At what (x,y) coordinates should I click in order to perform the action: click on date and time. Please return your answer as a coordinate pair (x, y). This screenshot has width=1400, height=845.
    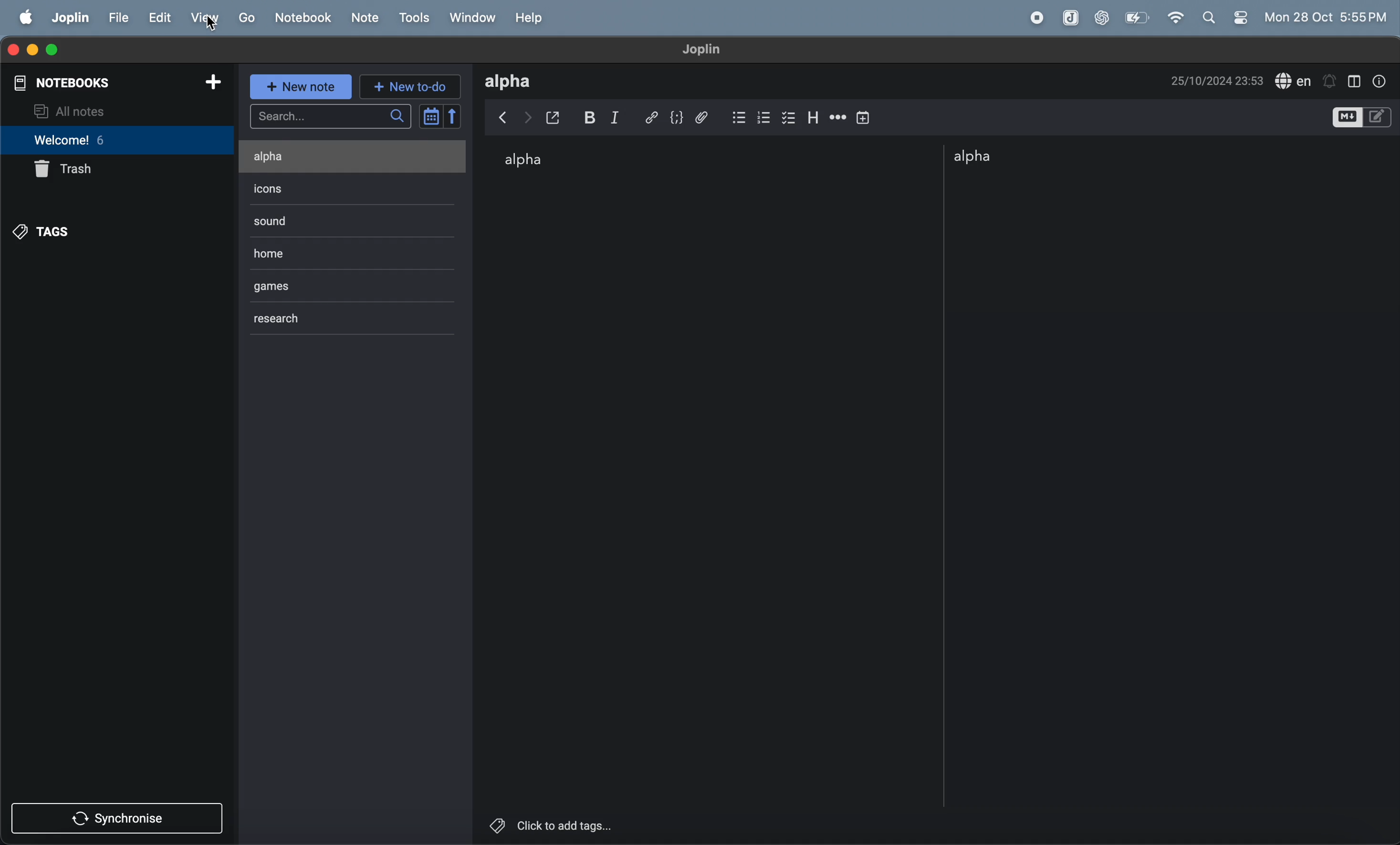
    Looking at the image, I should click on (1218, 80).